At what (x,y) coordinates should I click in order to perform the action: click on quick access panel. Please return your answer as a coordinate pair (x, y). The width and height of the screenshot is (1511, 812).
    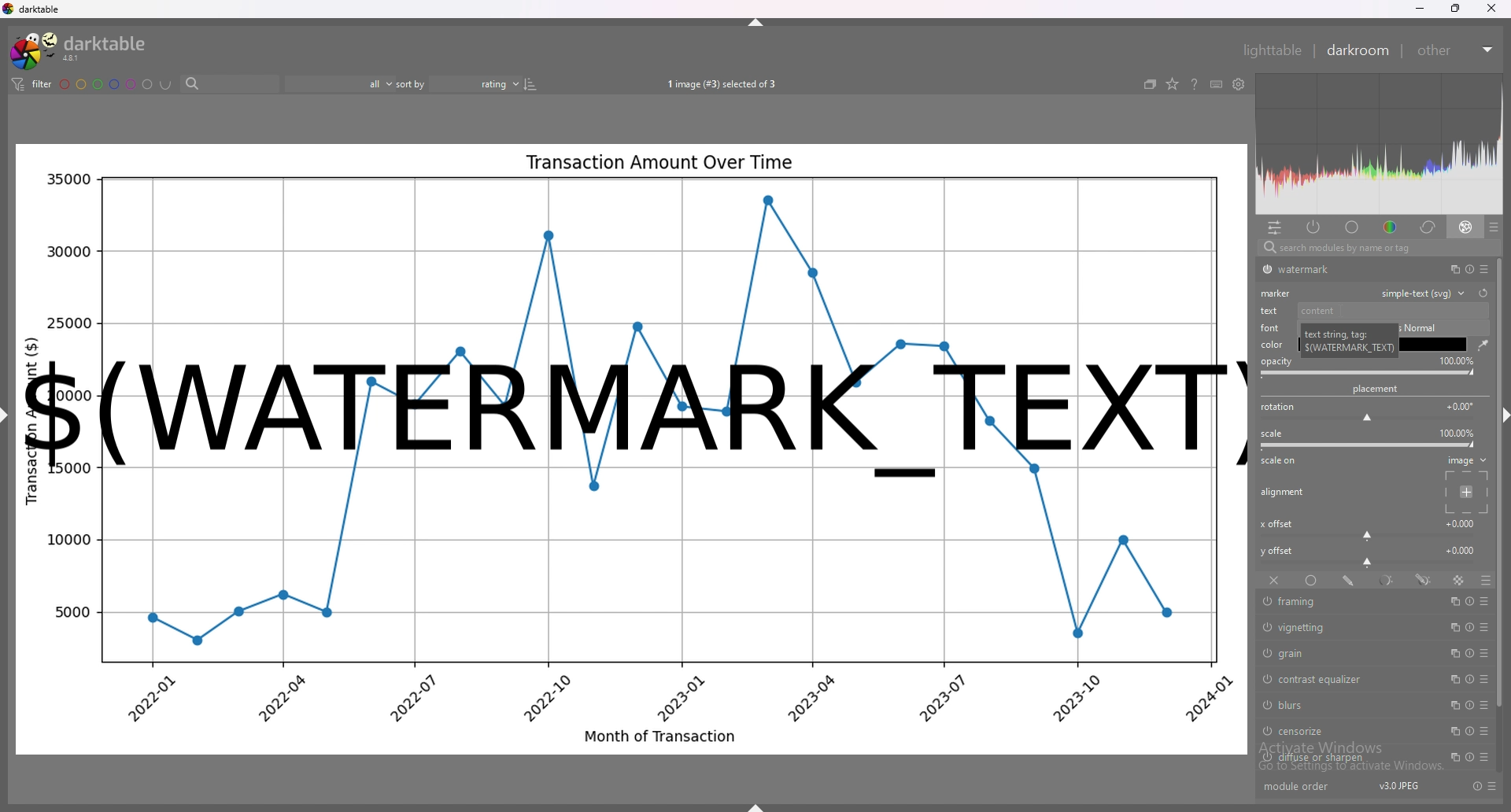
    Looking at the image, I should click on (1274, 227).